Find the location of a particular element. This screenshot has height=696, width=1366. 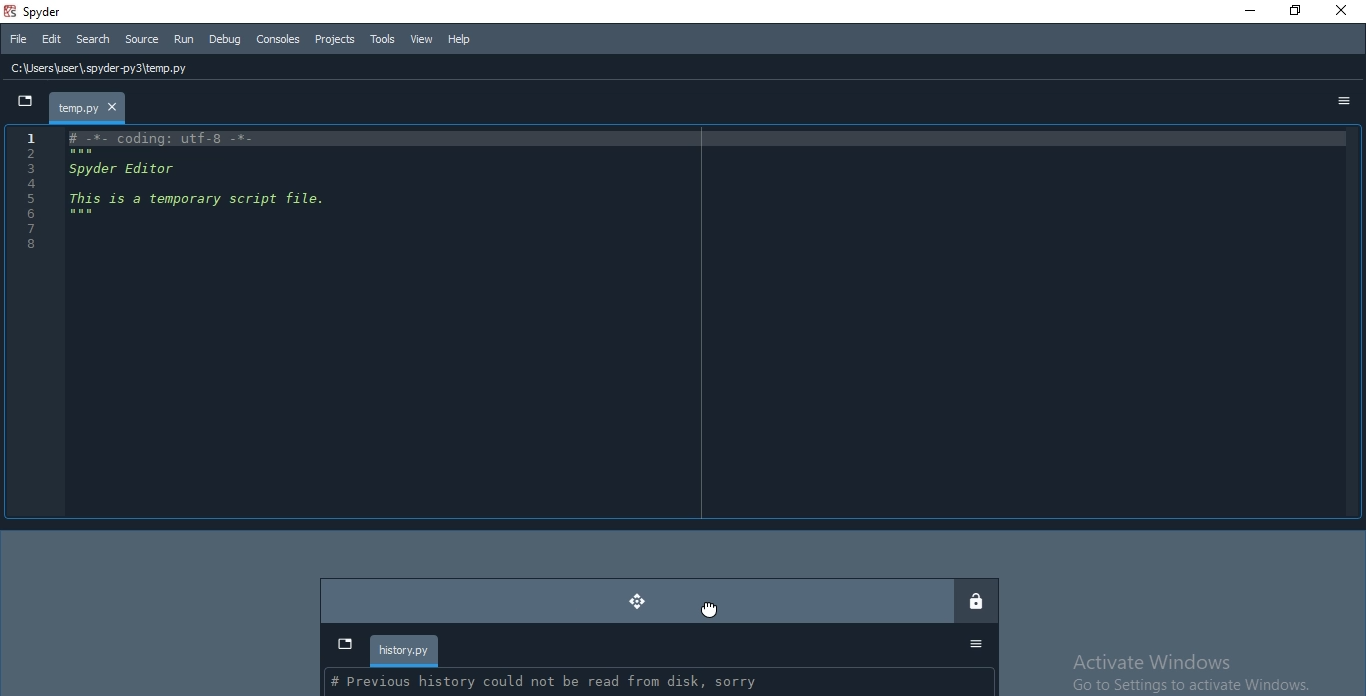

Projects is located at coordinates (334, 40).